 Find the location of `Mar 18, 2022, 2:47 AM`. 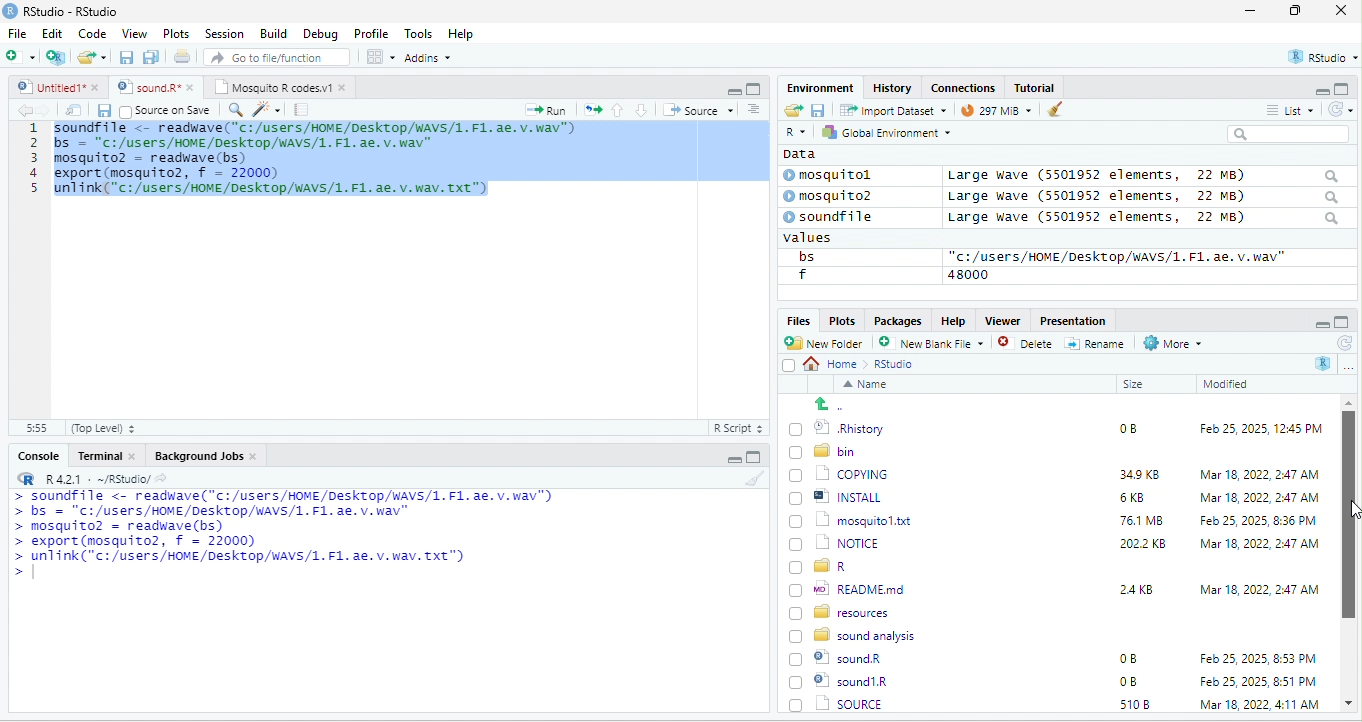

Mar 18, 2022, 2:47 AM is located at coordinates (1259, 588).